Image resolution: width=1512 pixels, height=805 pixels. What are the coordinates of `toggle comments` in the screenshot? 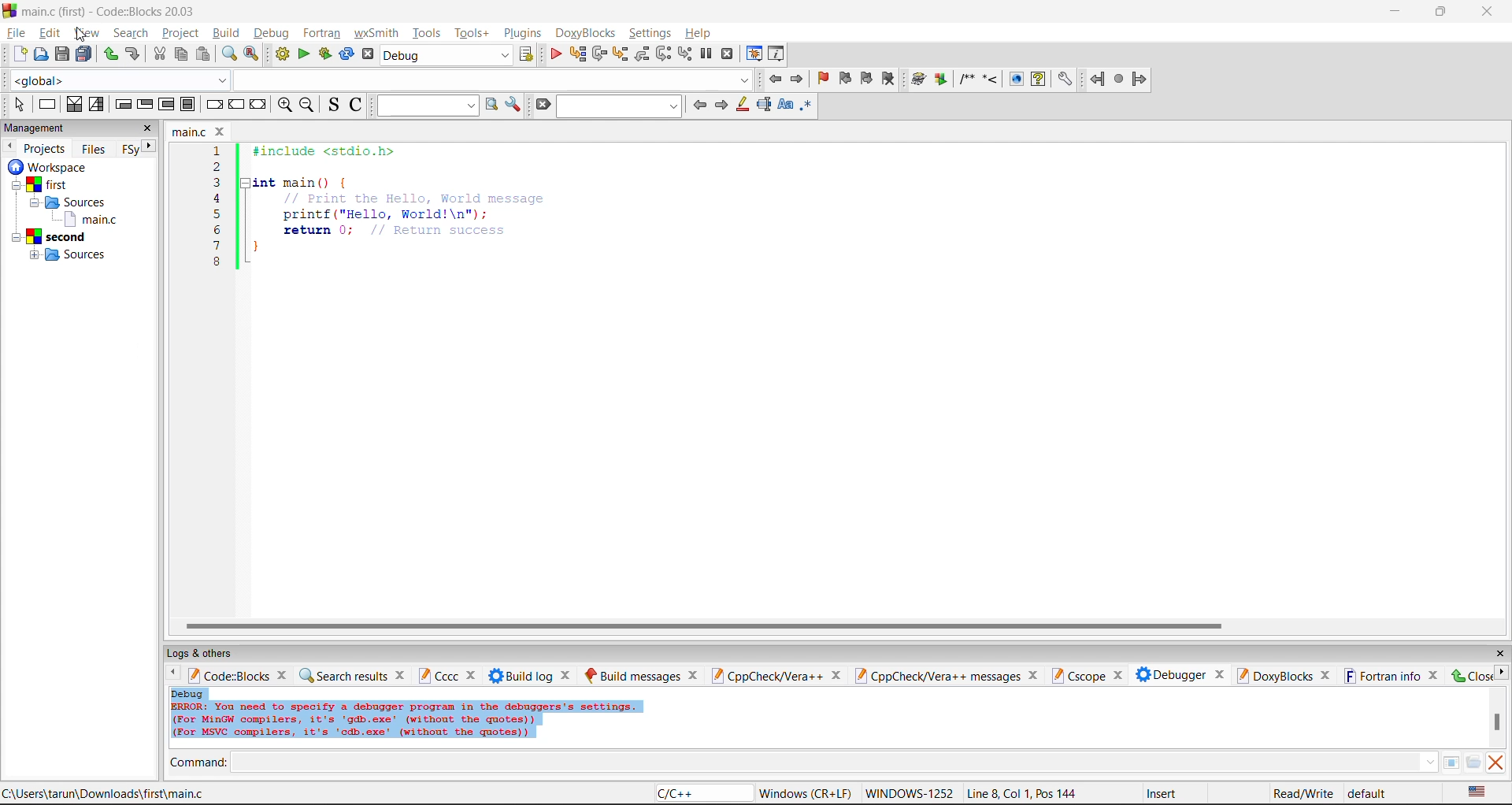 It's located at (356, 104).